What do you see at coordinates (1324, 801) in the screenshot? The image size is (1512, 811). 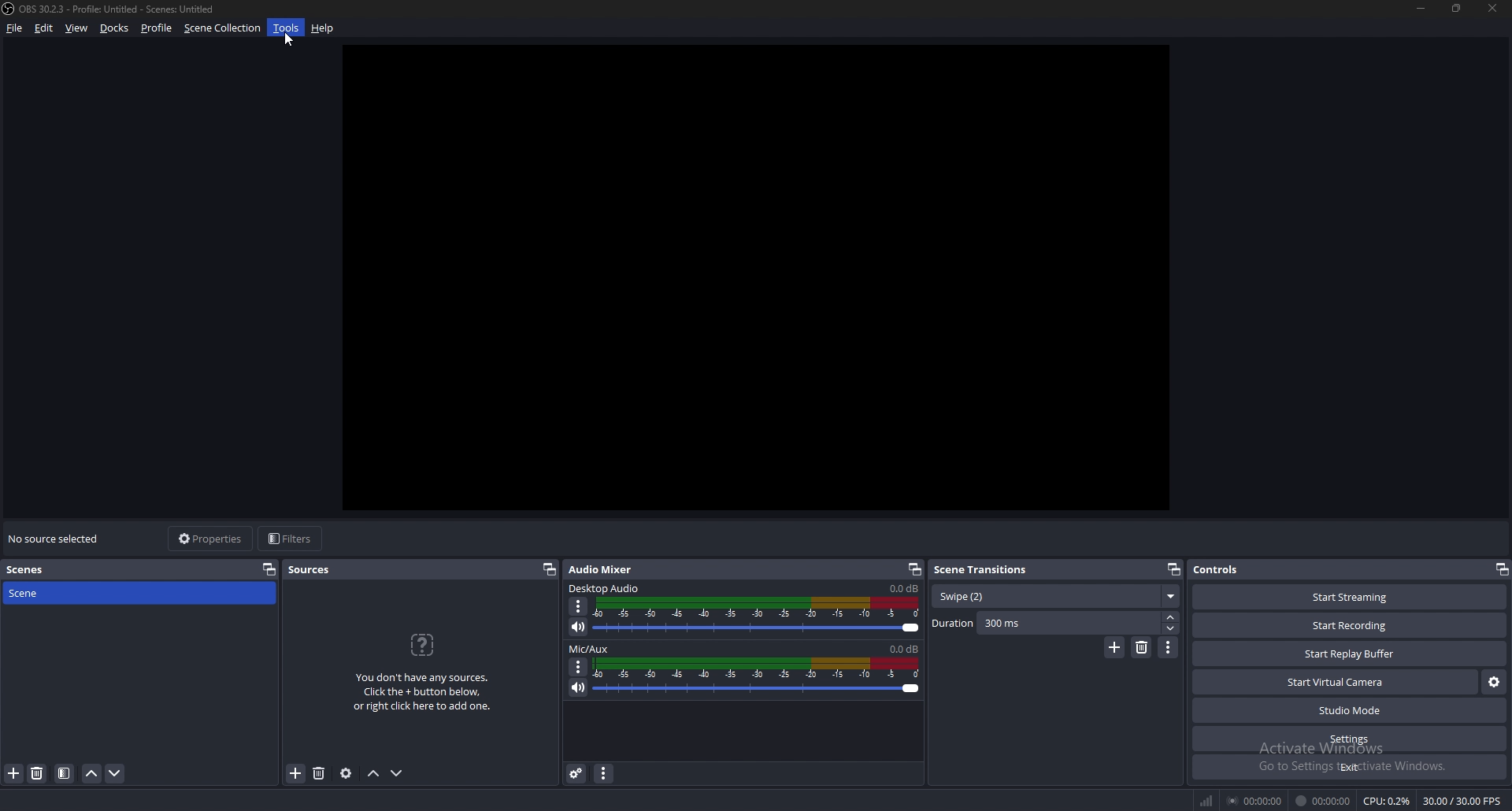 I see `recording duration` at bounding box center [1324, 801].